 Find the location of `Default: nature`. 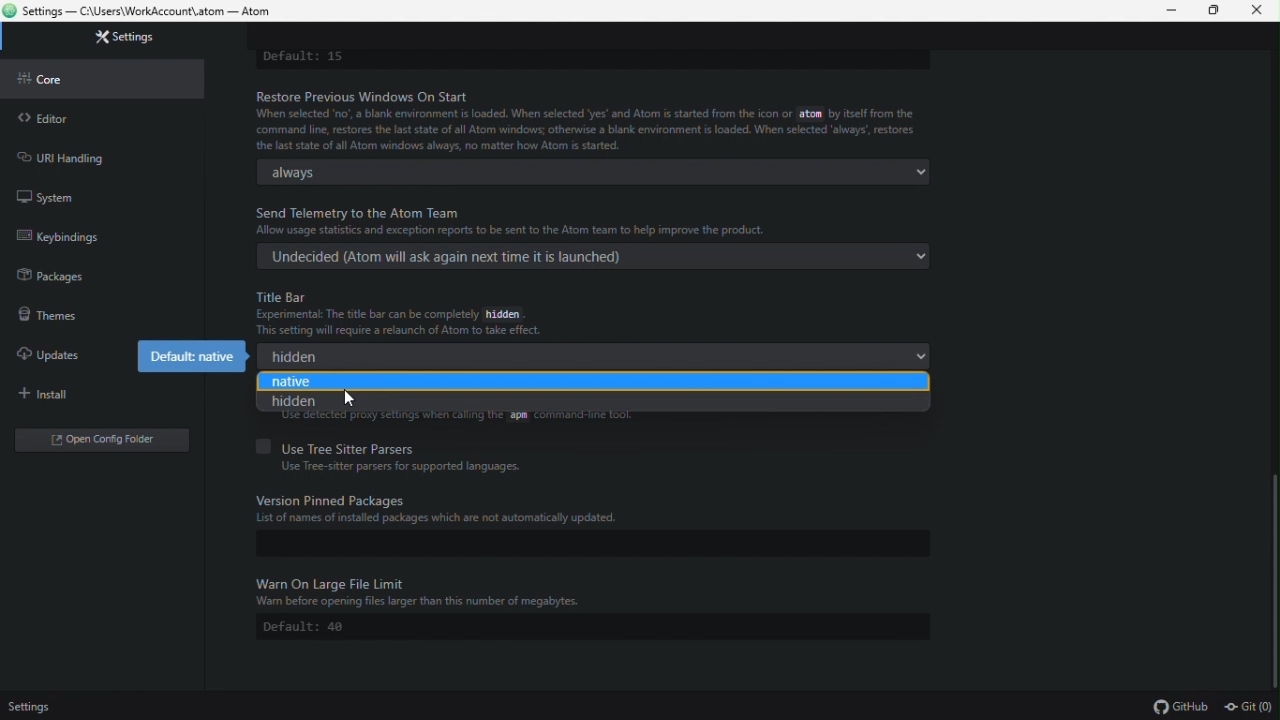

Default: nature is located at coordinates (193, 357).